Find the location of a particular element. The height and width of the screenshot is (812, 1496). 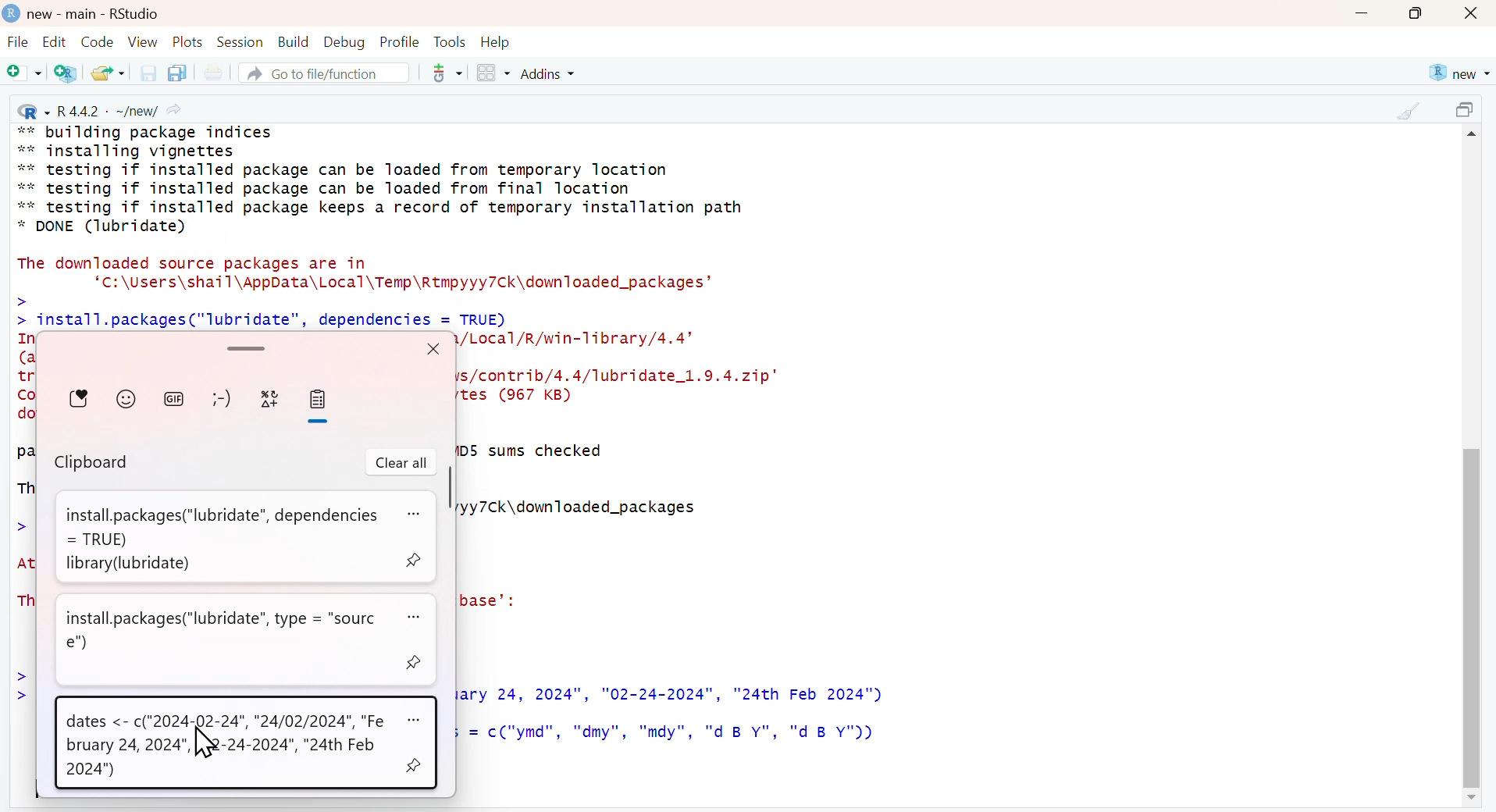

Code is located at coordinates (95, 41).